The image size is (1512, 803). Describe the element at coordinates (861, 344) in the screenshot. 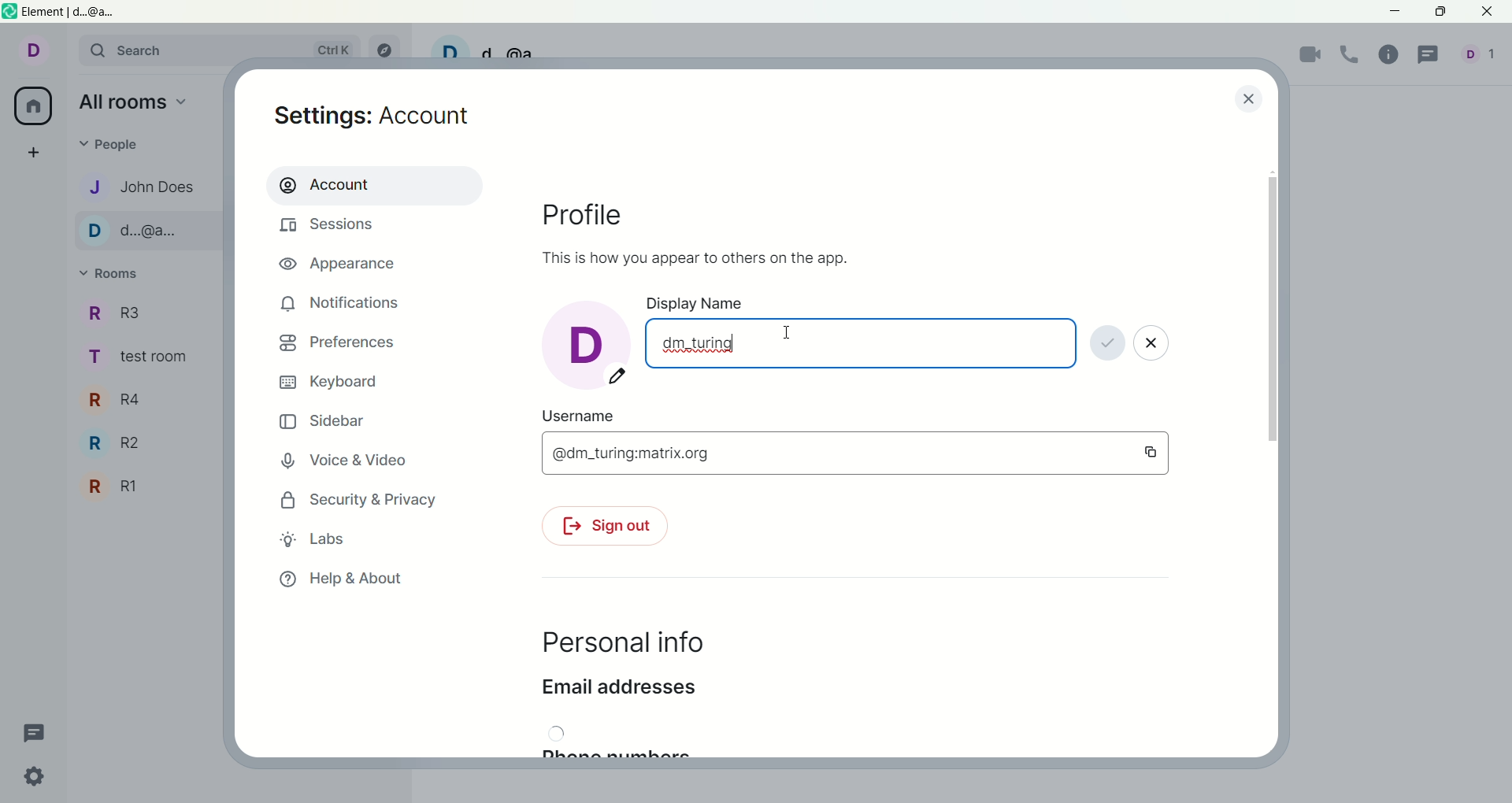

I see `dm, turing '` at that location.